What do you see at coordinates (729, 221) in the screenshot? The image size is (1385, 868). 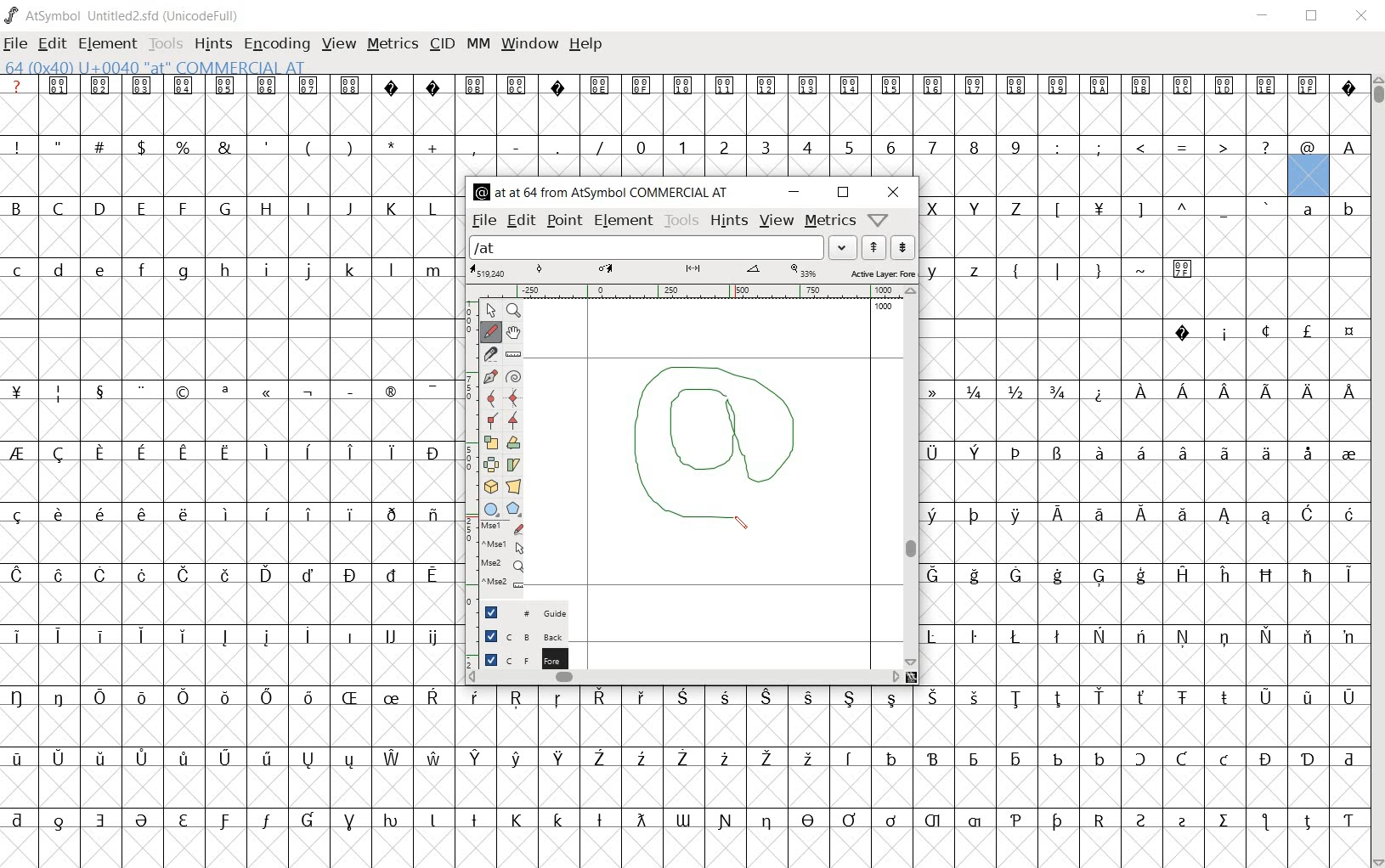 I see `hints` at bounding box center [729, 221].